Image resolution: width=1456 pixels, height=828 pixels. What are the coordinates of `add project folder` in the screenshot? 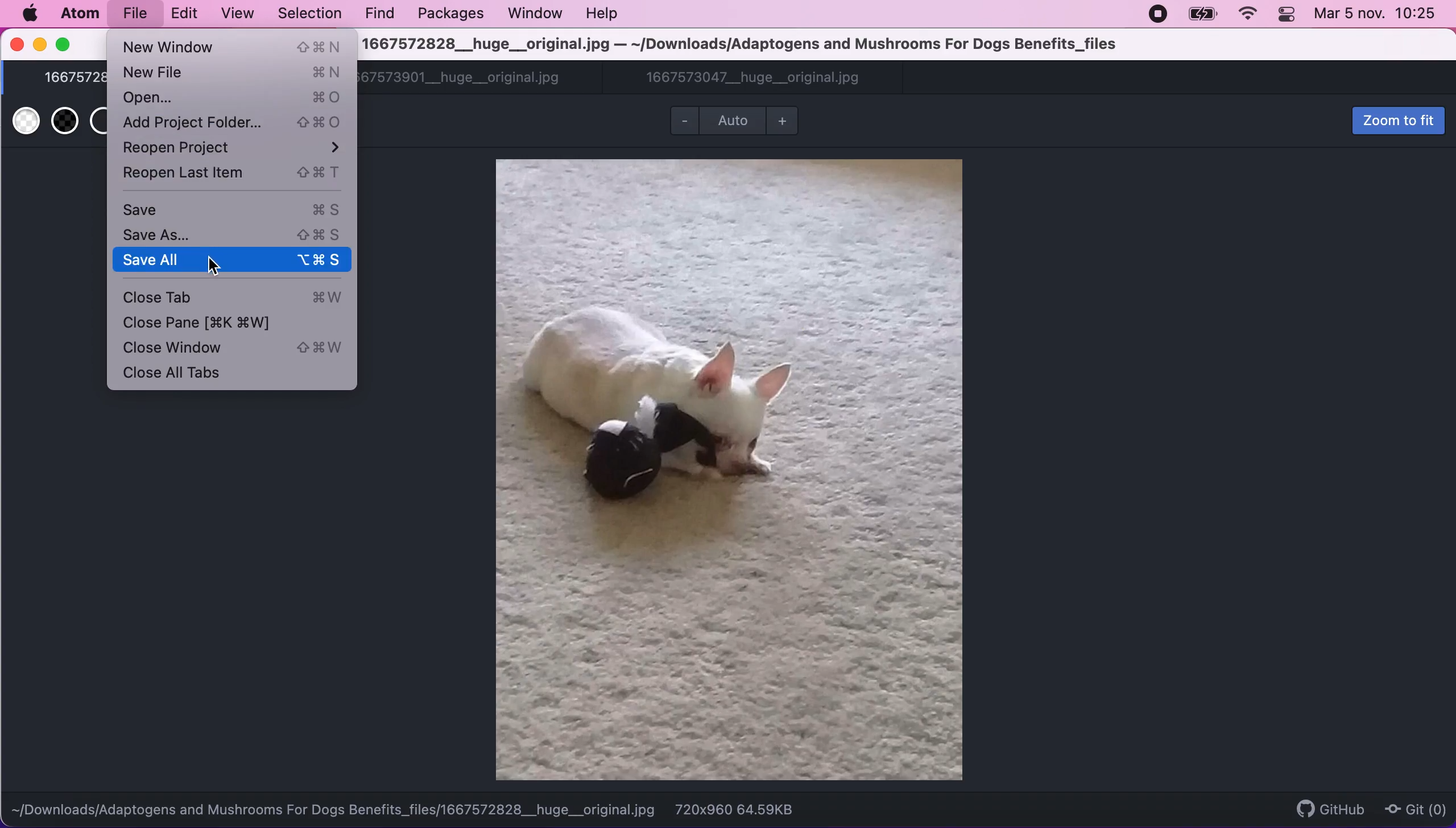 It's located at (235, 125).